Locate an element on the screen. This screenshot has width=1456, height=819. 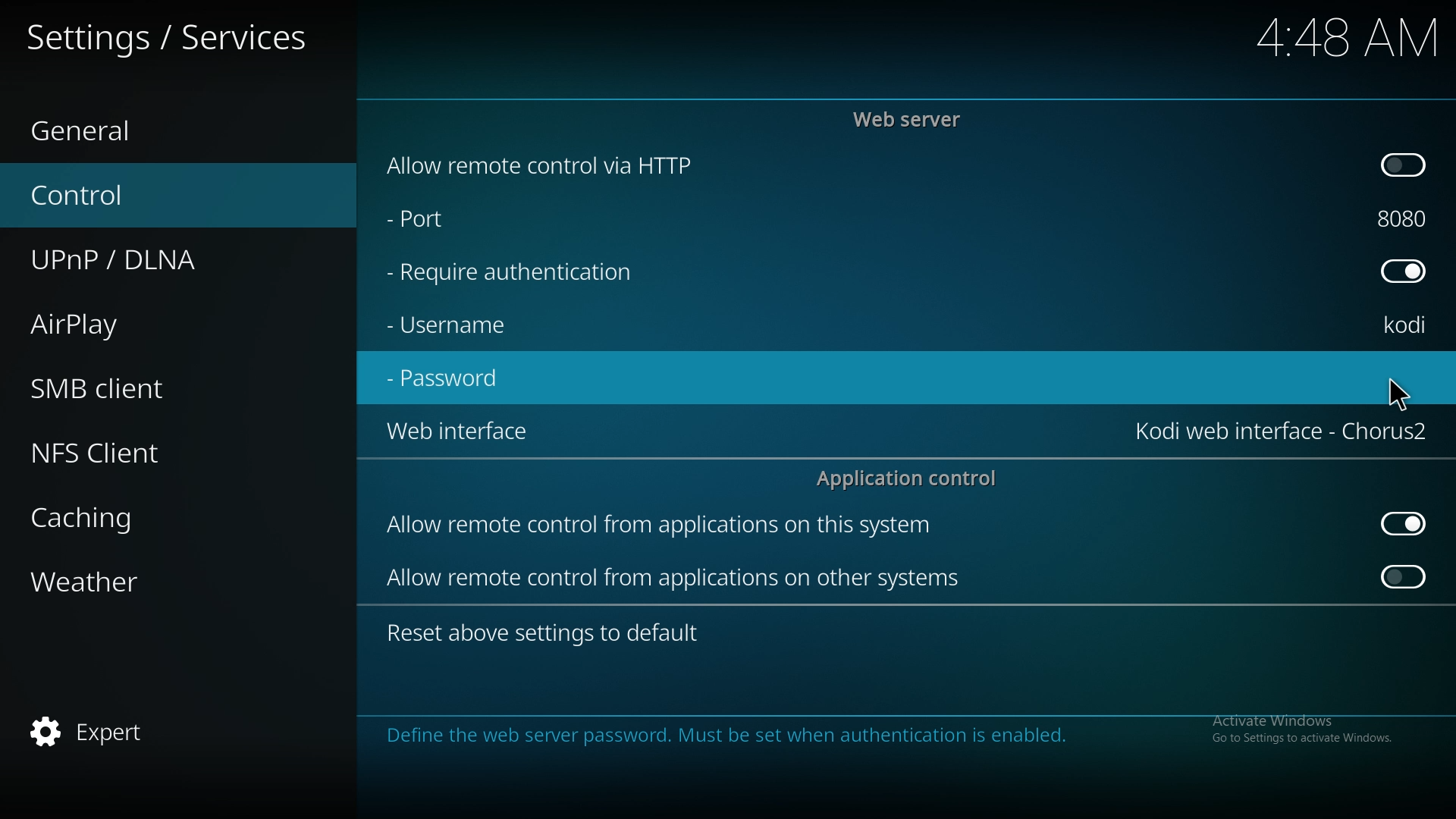
caching is located at coordinates (121, 519).